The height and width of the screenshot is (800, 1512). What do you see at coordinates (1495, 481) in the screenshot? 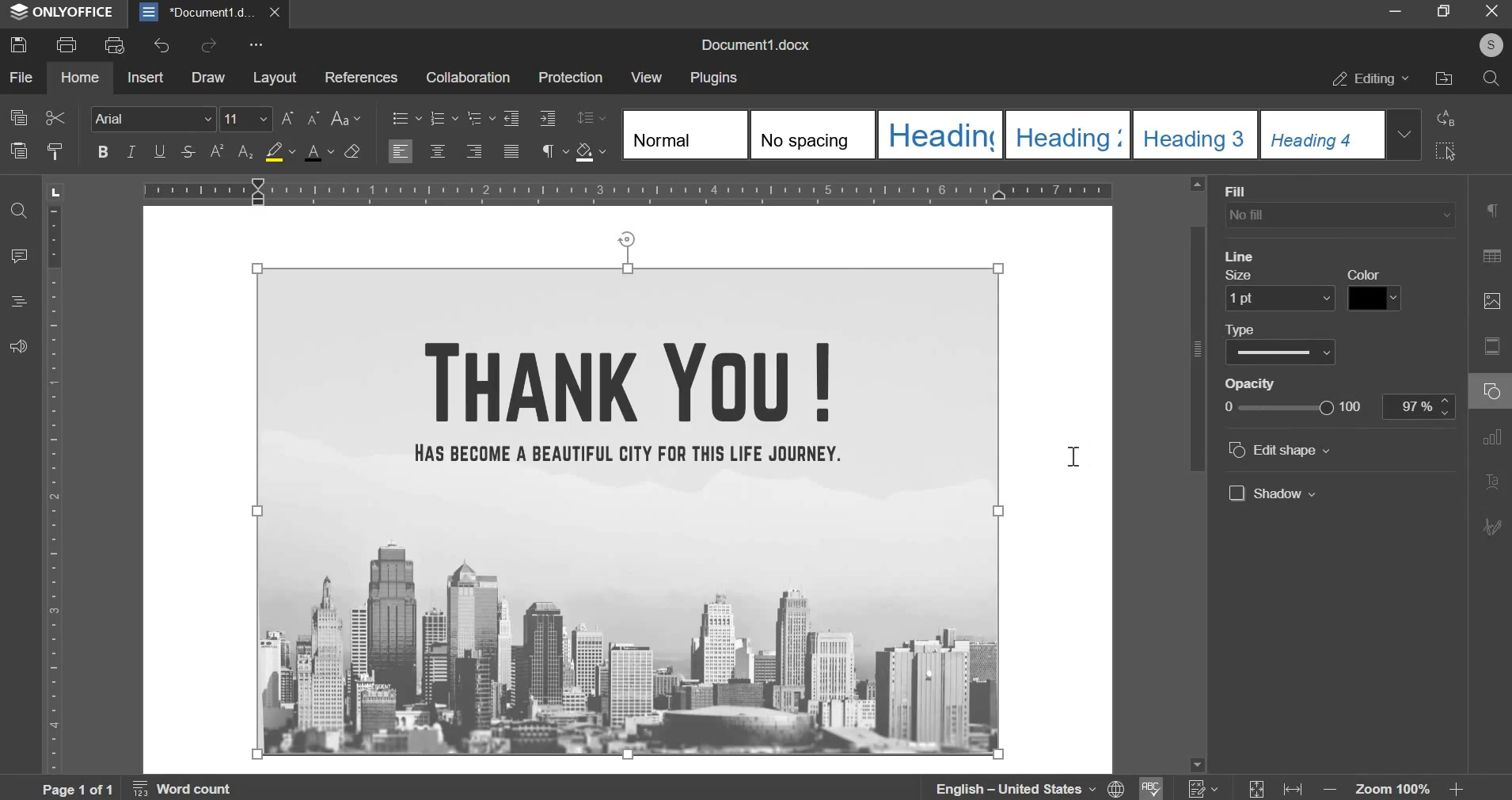
I see `TextArt` at bounding box center [1495, 481].